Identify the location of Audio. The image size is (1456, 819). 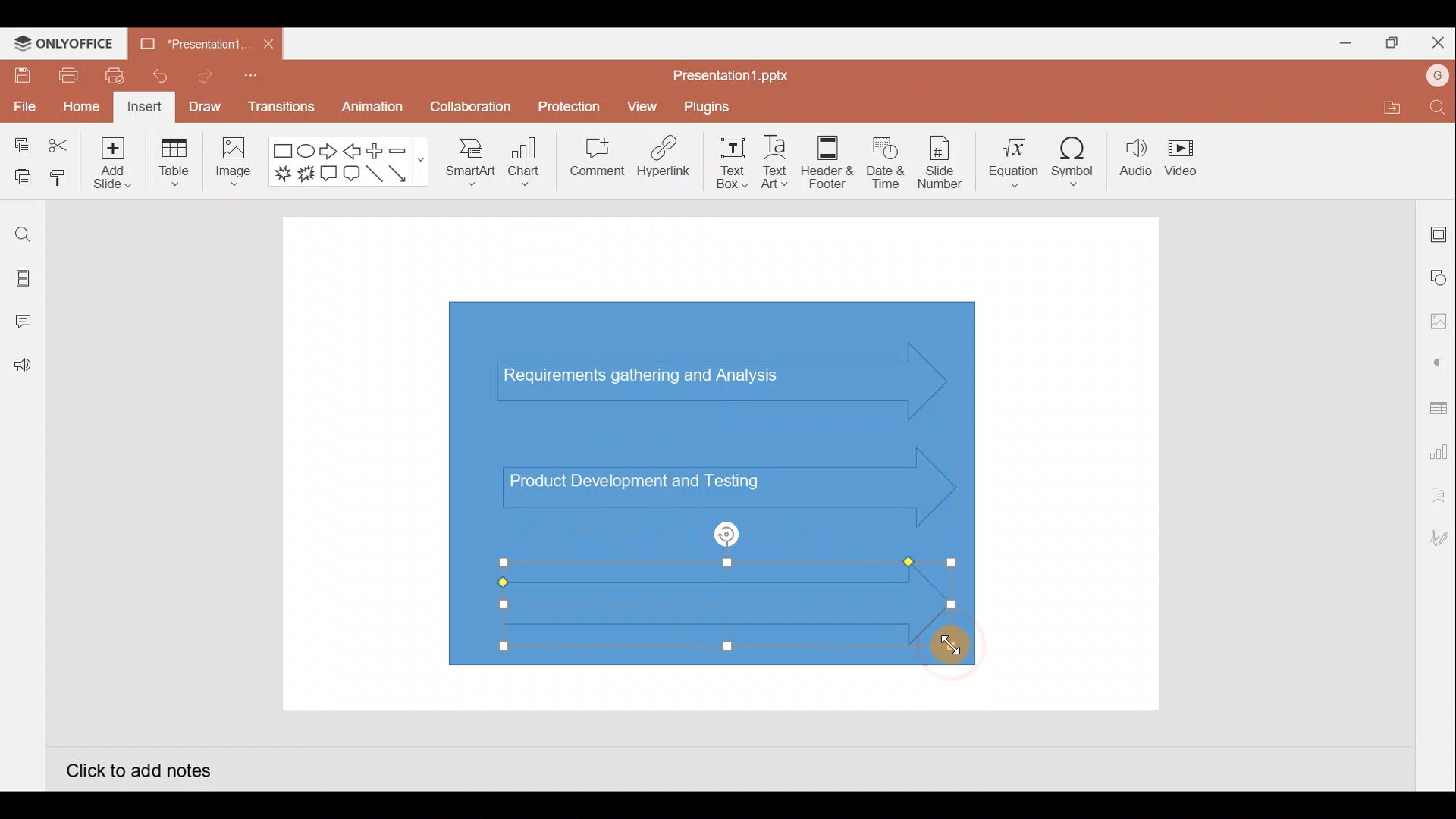
(1136, 158).